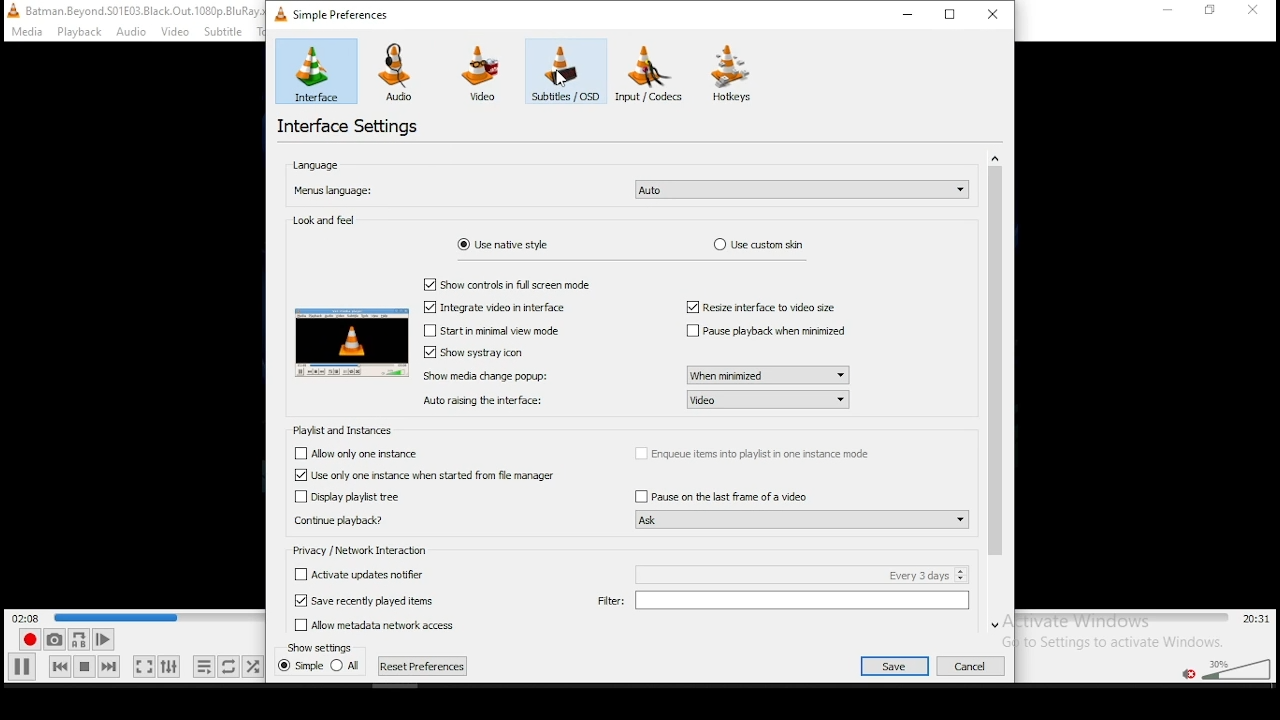 This screenshot has width=1280, height=720. Describe the element at coordinates (27, 640) in the screenshot. I see `record` at that location.